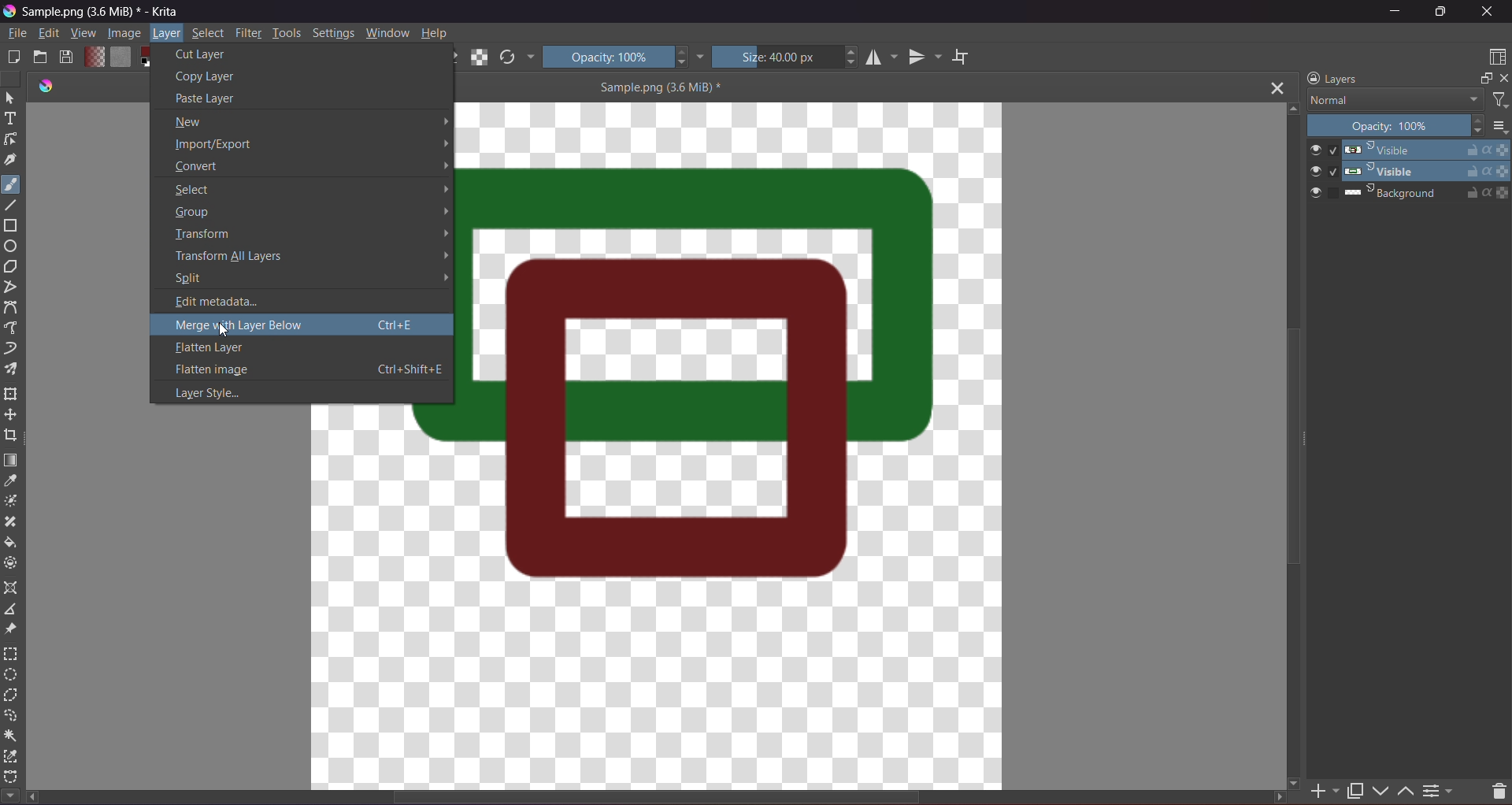 The image size is (1512, 805). What do you see at coordinates (102, 15) in the screenshot?
I see `Sample.png (3.6 MB)* - Krita` at bounding box center [102, 15].